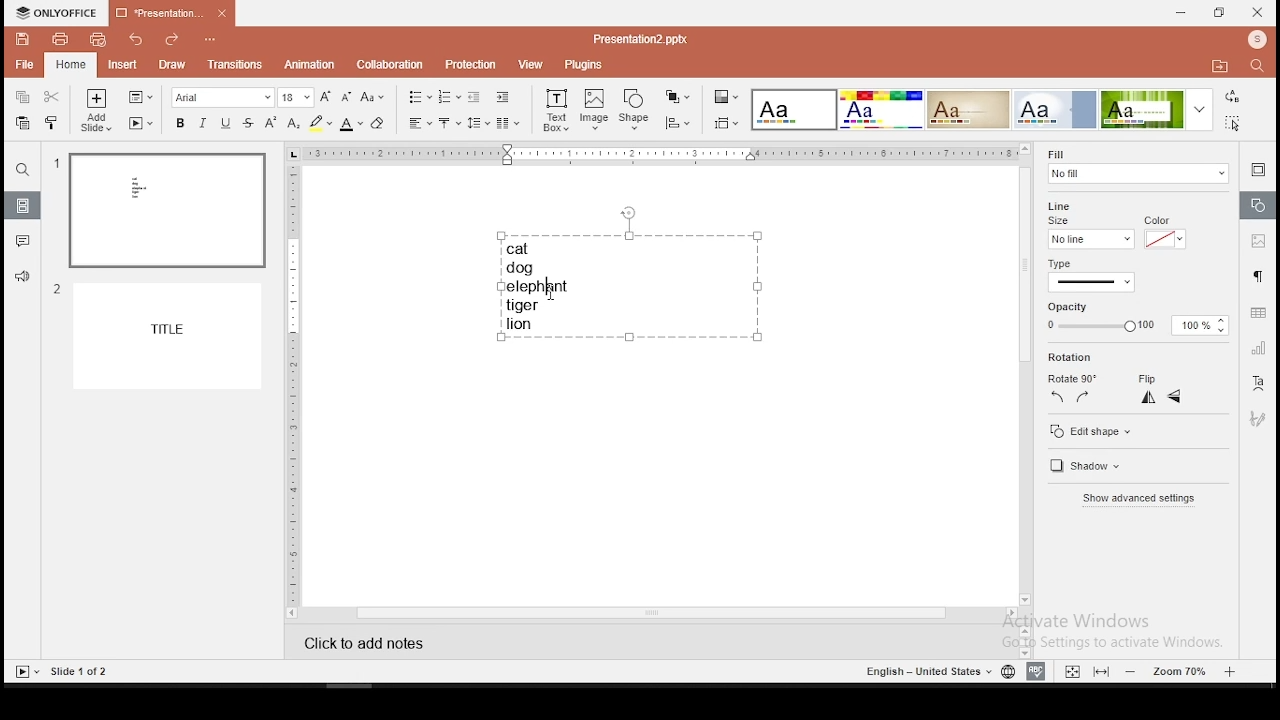 Image resolution: width=1280 pixels, height=720 pixels. I want to click on spell check, so click(1036, 672).